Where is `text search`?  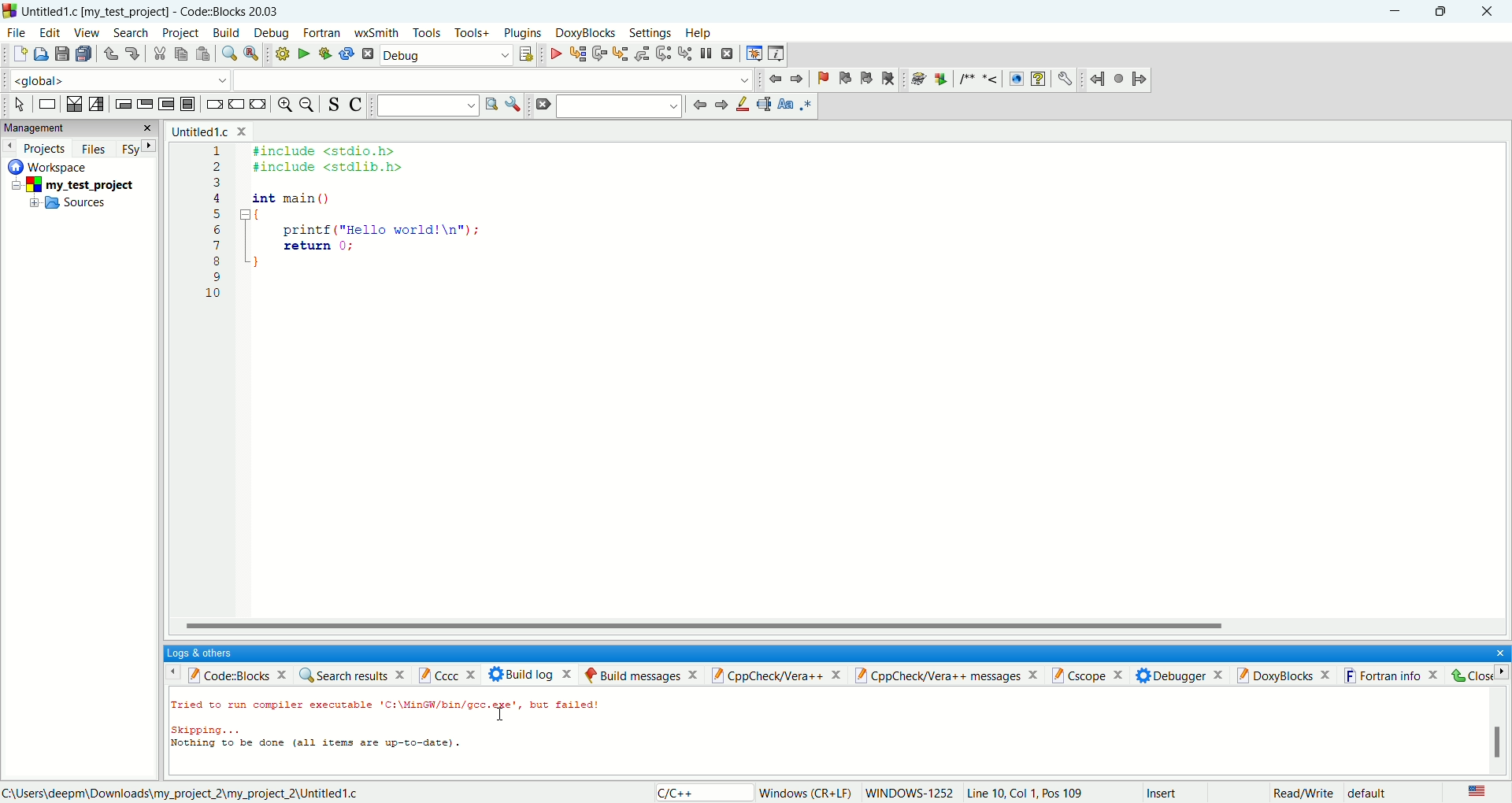 text search is located at coordinates (428, 105).